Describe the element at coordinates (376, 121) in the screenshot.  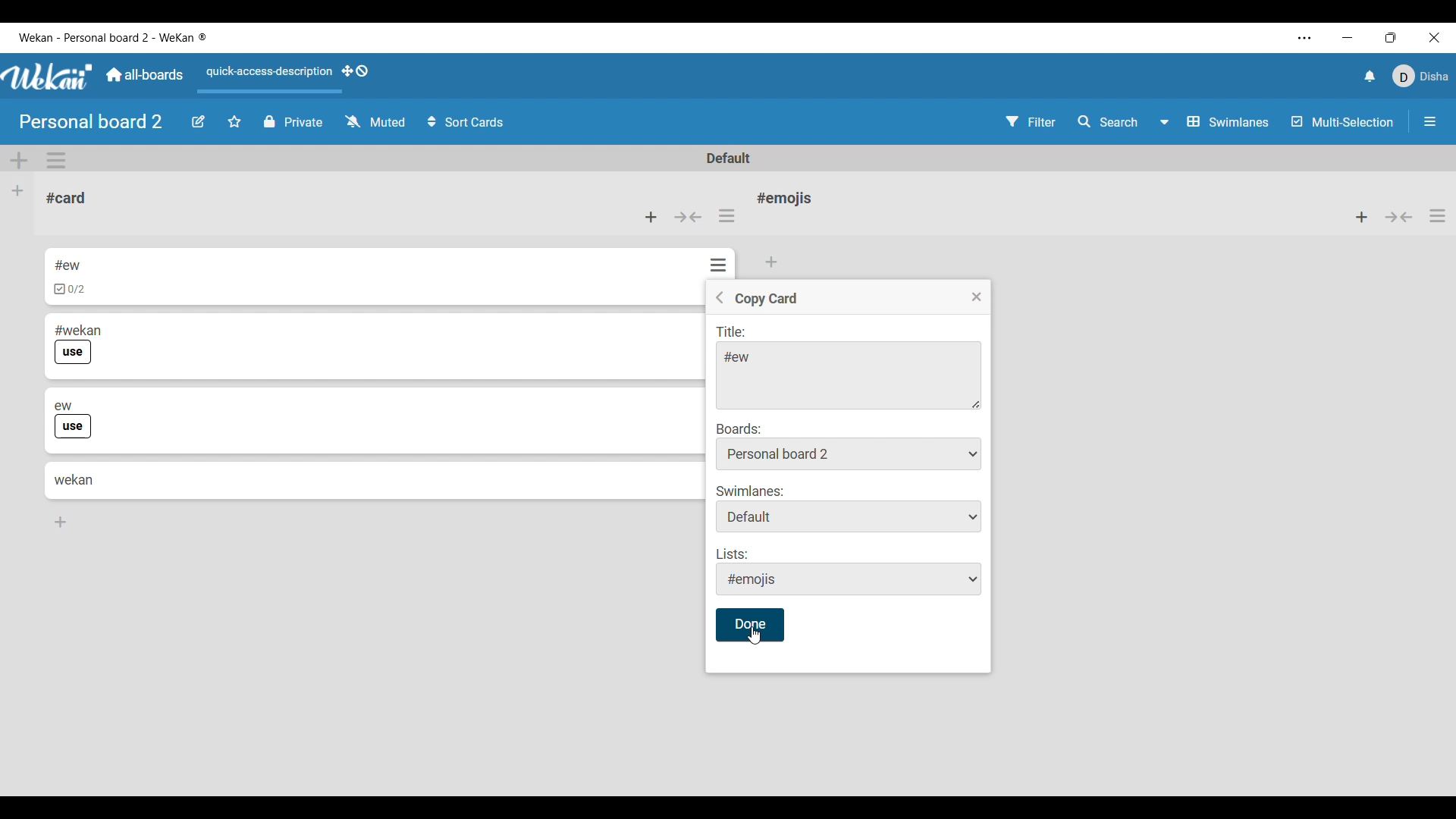
I see `Watch options` at that location.